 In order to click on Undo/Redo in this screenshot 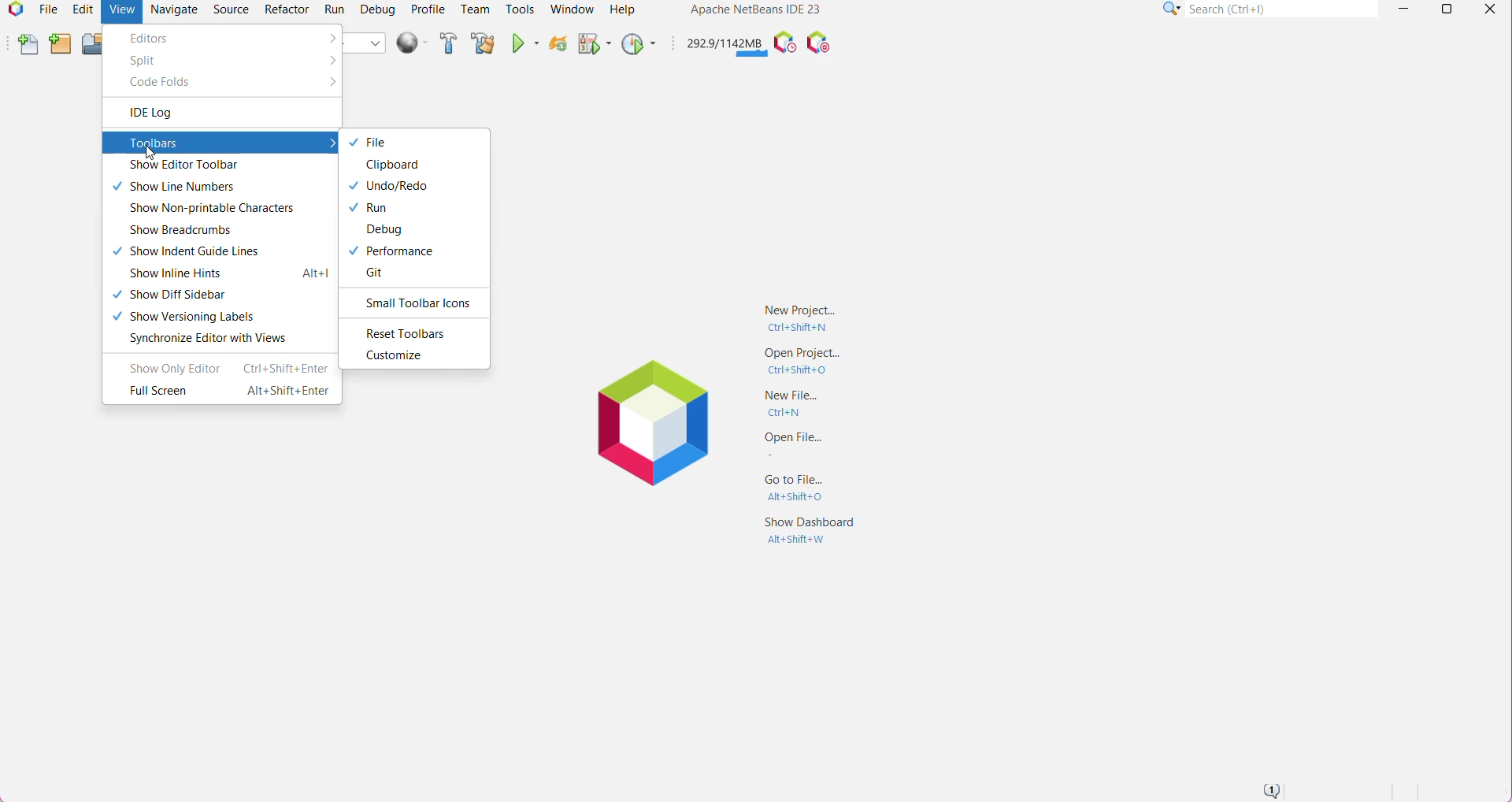, I will do `click(392, 186)`.